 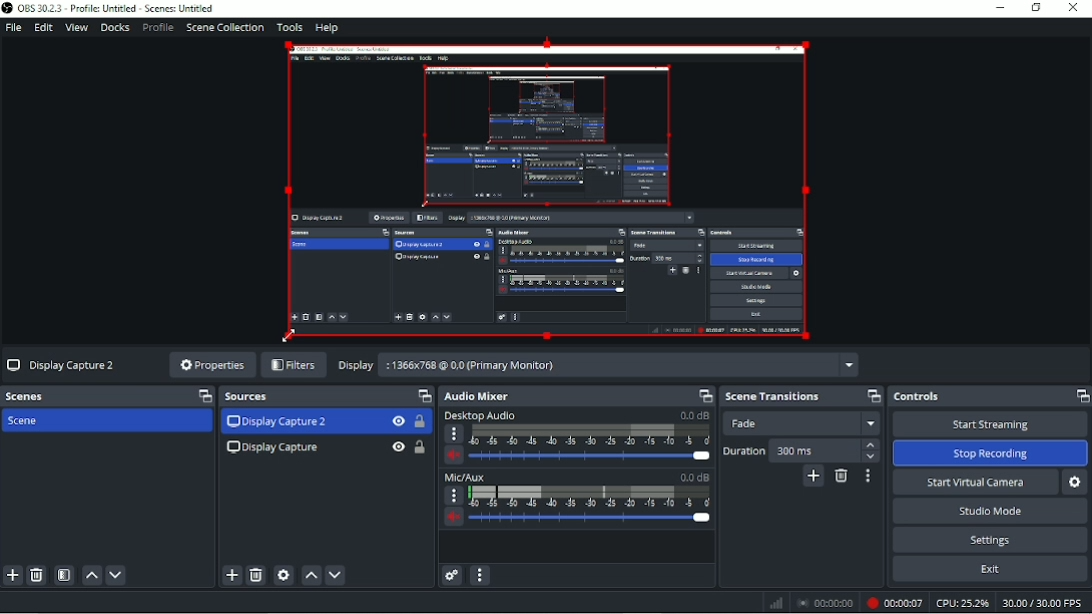 What do you see at coordinates (988, 424) in the screenshot?
I see `Start streaming` at bounding box center [988, 424].